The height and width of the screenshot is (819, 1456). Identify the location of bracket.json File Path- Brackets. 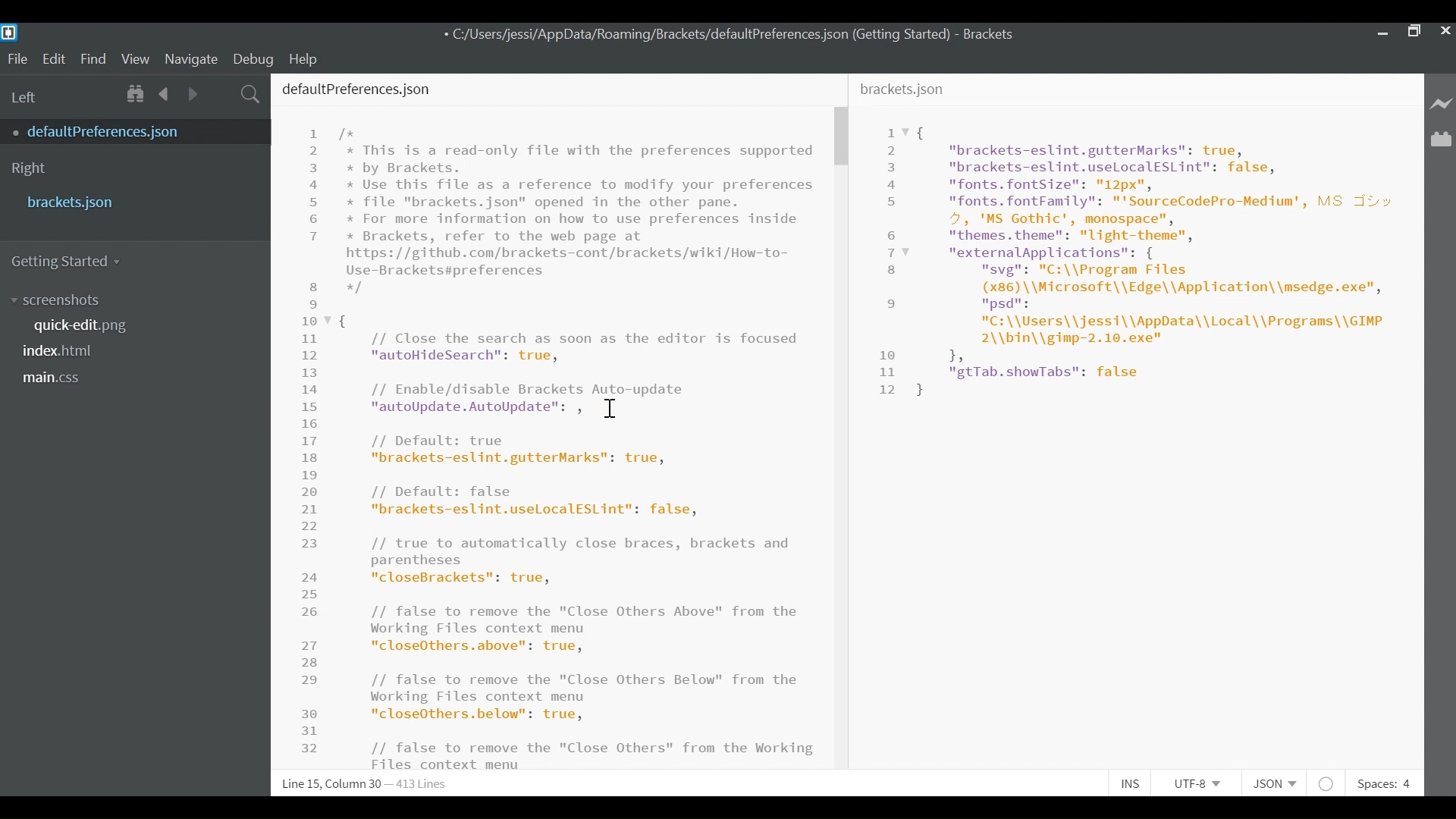
(732, 35).